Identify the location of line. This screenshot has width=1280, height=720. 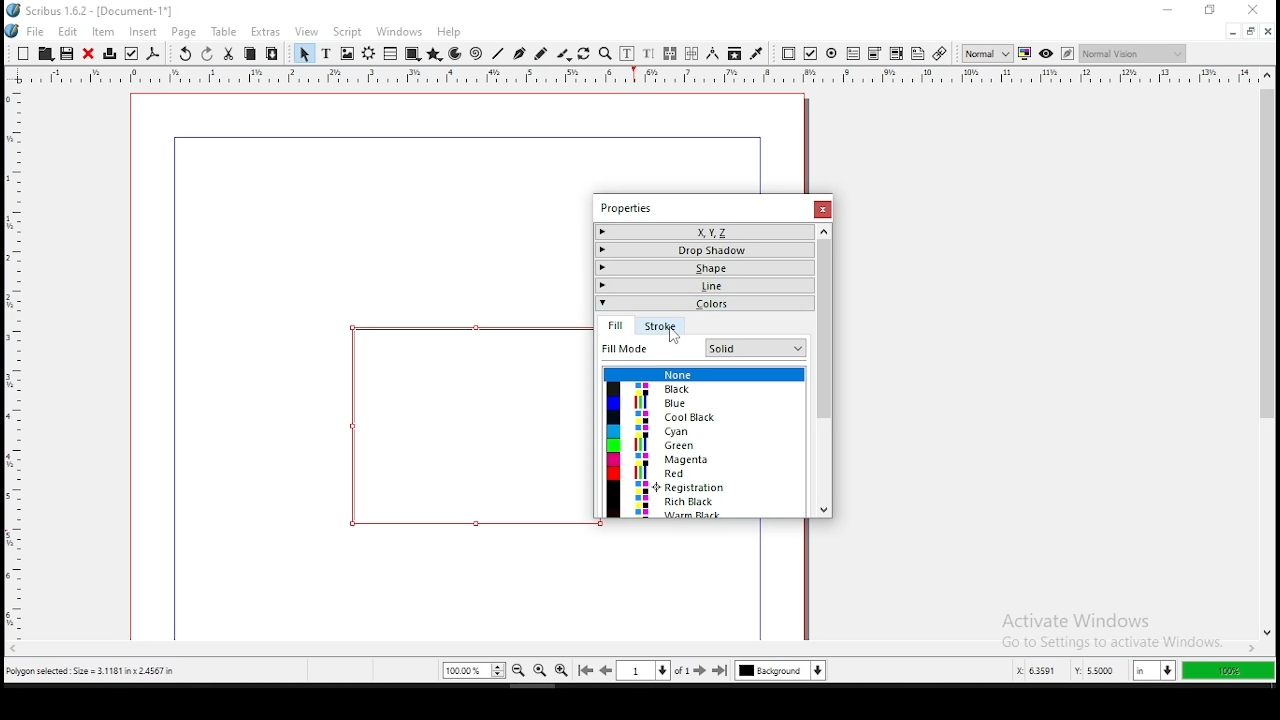
(705, 285).